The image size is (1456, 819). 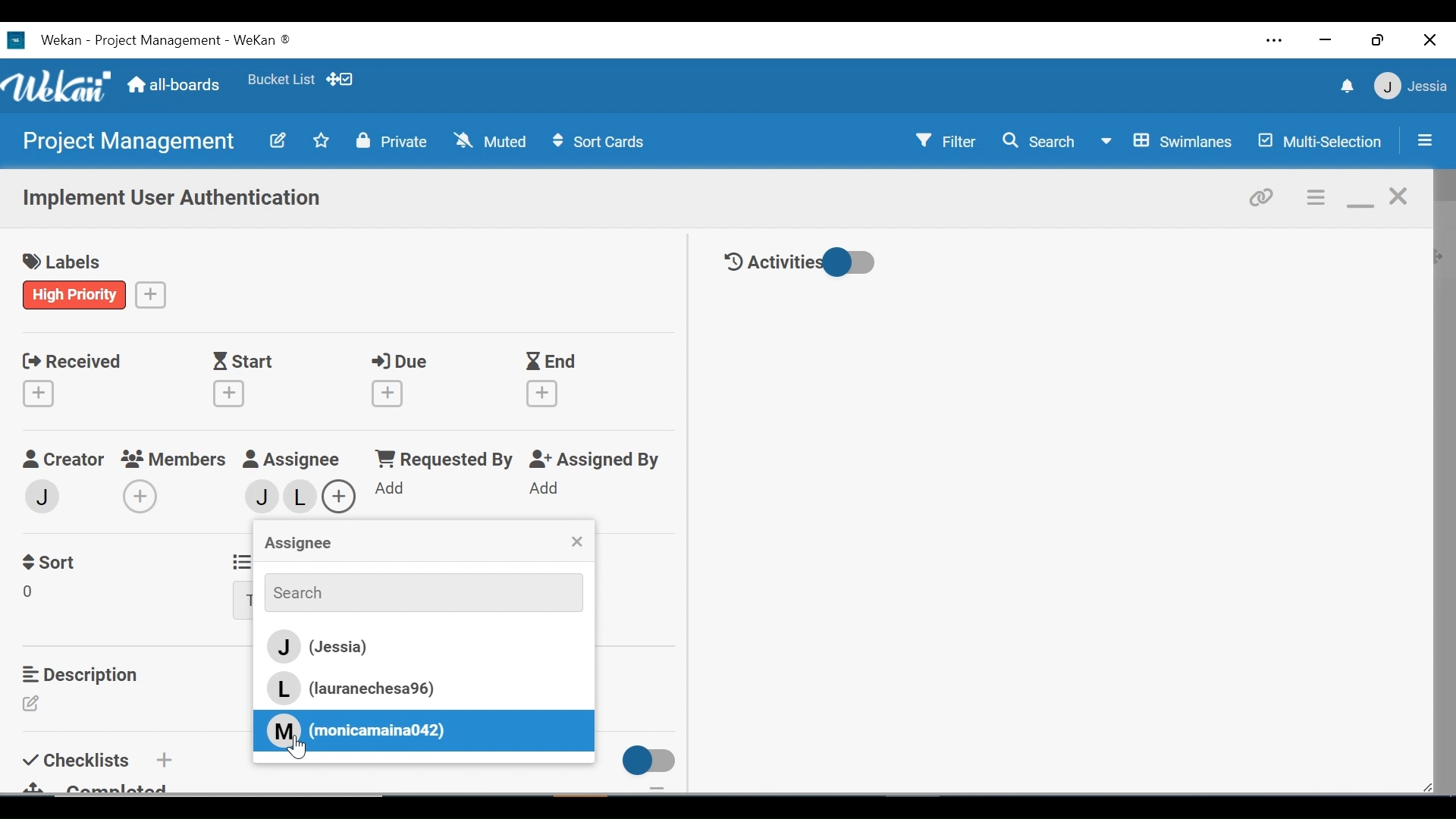 What do you see at coordinates (1431, 39) in the screenshot?
I see `Close` at bounding box center [1431, 39].